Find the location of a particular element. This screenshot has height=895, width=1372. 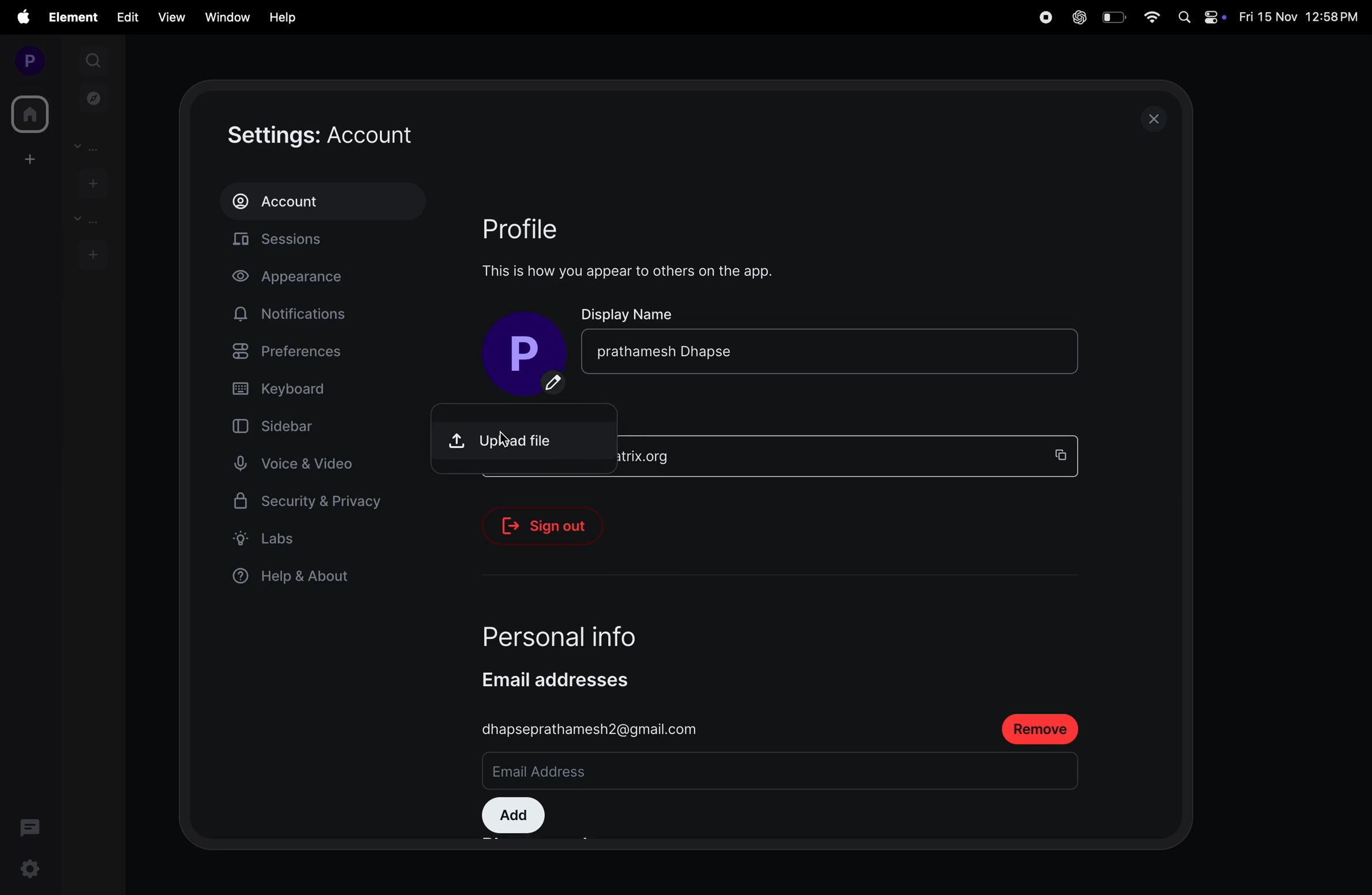

element is located at coordinates (75, 17).